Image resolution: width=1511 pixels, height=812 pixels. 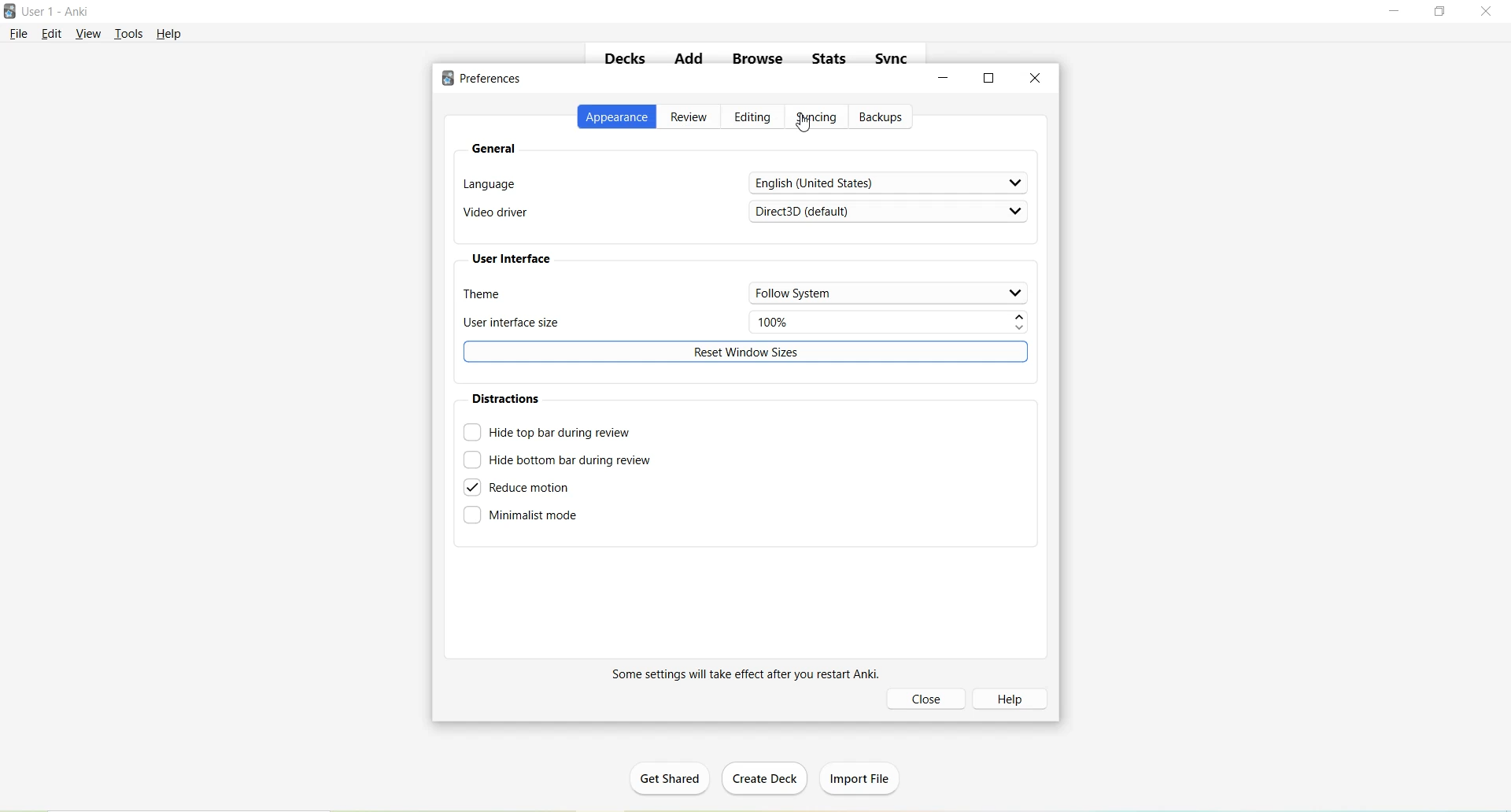 What do you see at coordinates (515, 258) in the screenshot?
I see `User interface` at bounding box center [515, 258].